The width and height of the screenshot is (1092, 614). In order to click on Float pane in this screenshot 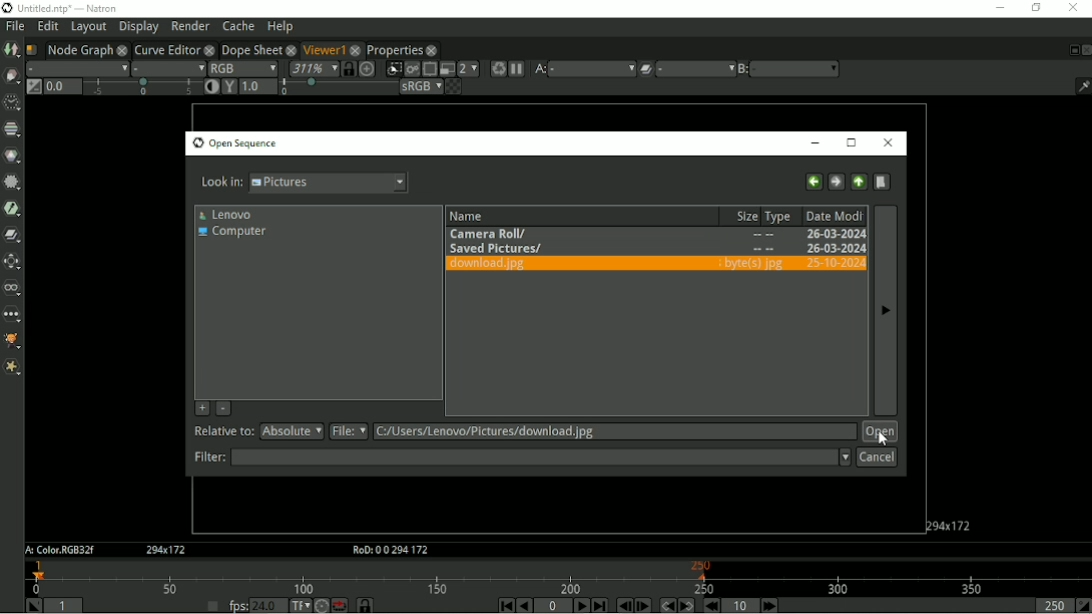, I will do `click(1071, 50)`.